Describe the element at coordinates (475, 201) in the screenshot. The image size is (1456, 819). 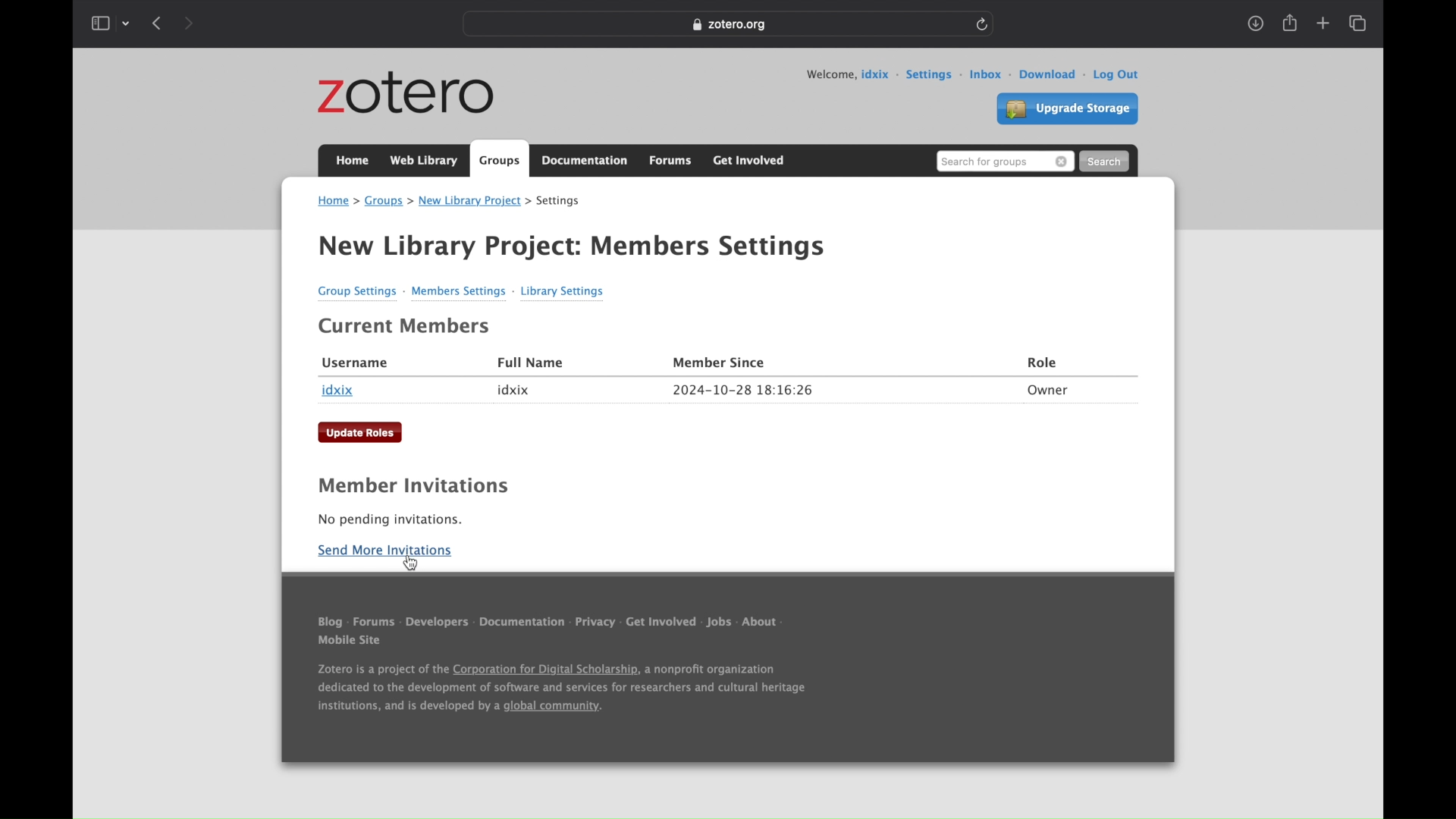
I see `new library project` at that location.